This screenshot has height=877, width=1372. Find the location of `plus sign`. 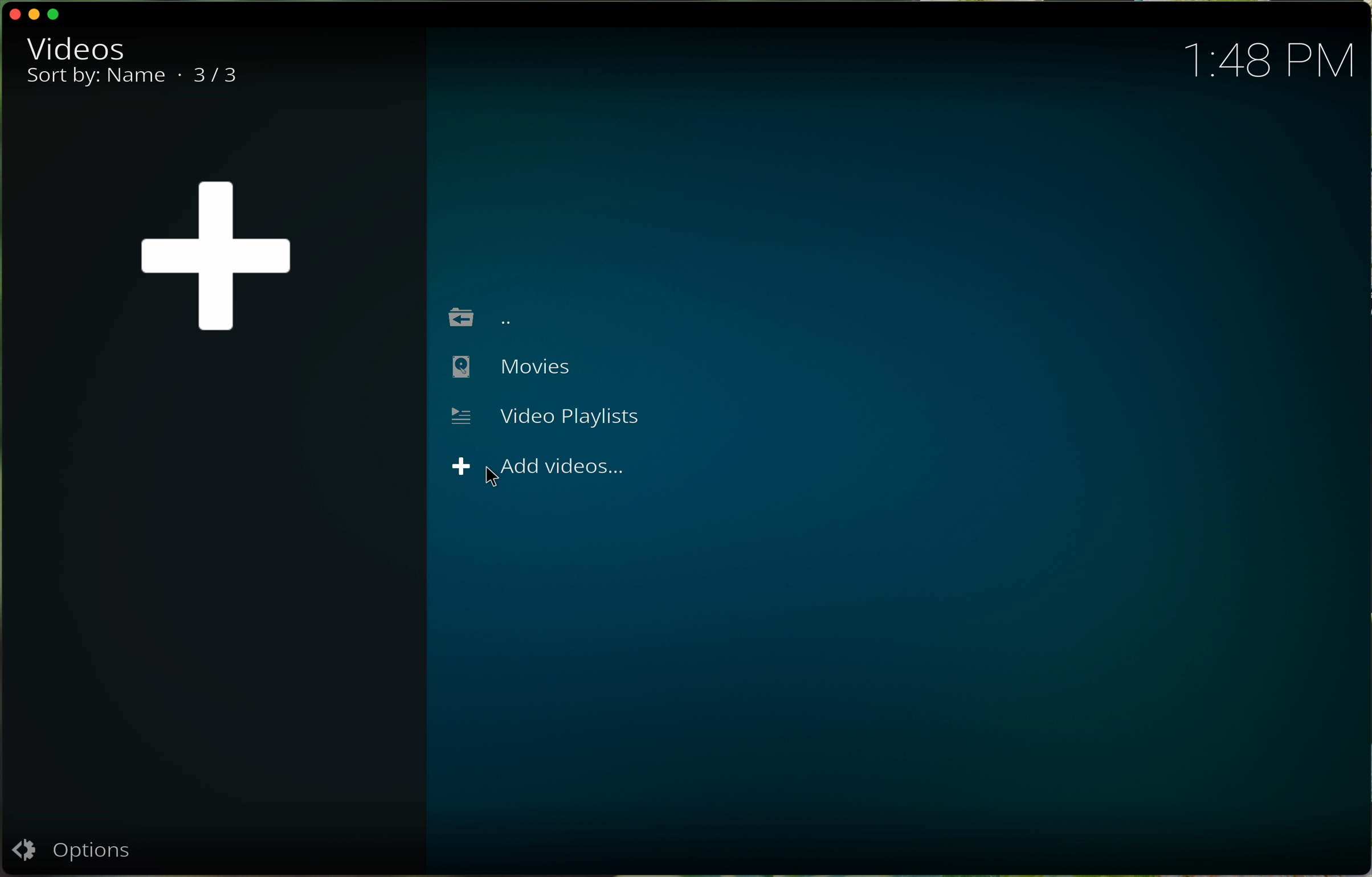

plus sign is located at coordinates (217, 255).